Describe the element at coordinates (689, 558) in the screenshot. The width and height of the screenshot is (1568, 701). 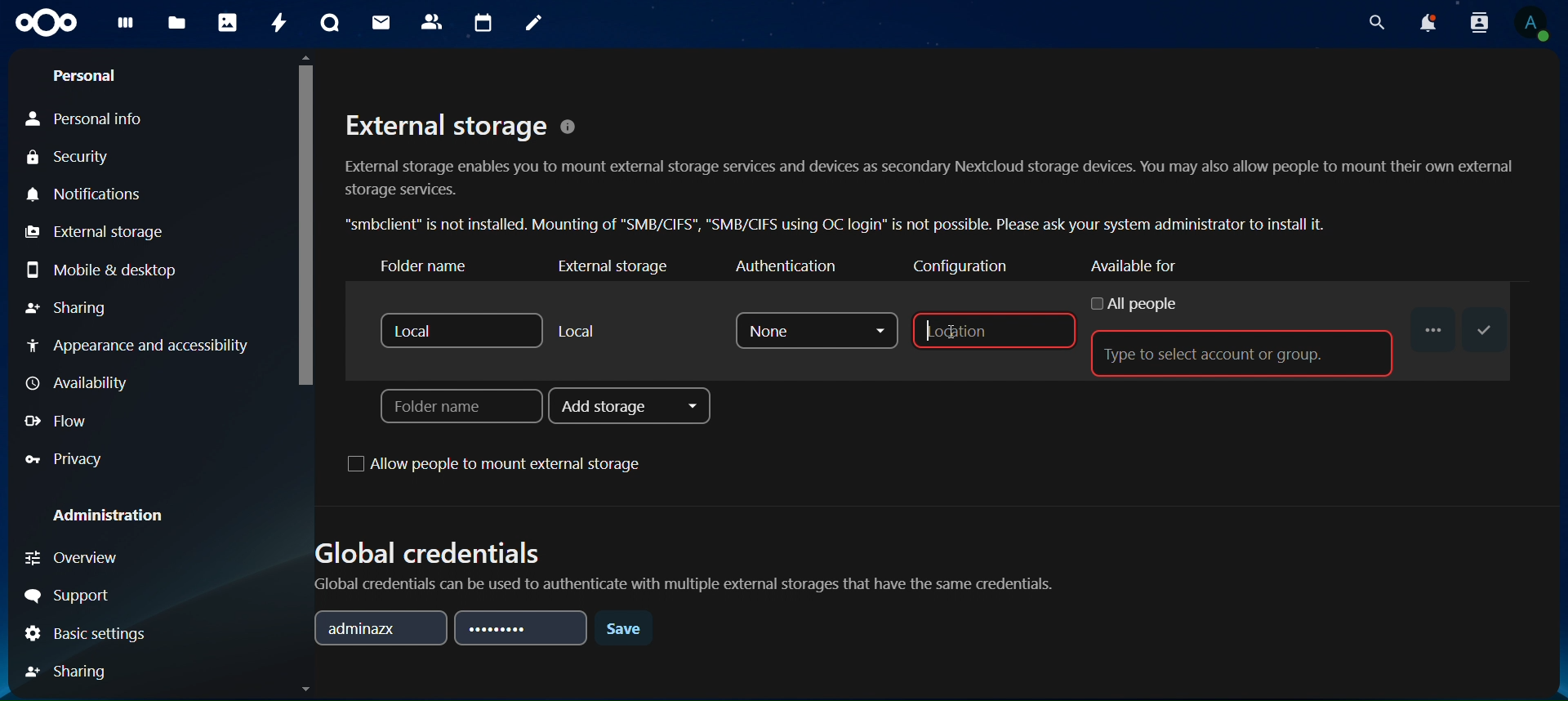
I see `Global credentials
Global credentials can be used to authenticate with multiple external storages that have the same credentials.` at that location.